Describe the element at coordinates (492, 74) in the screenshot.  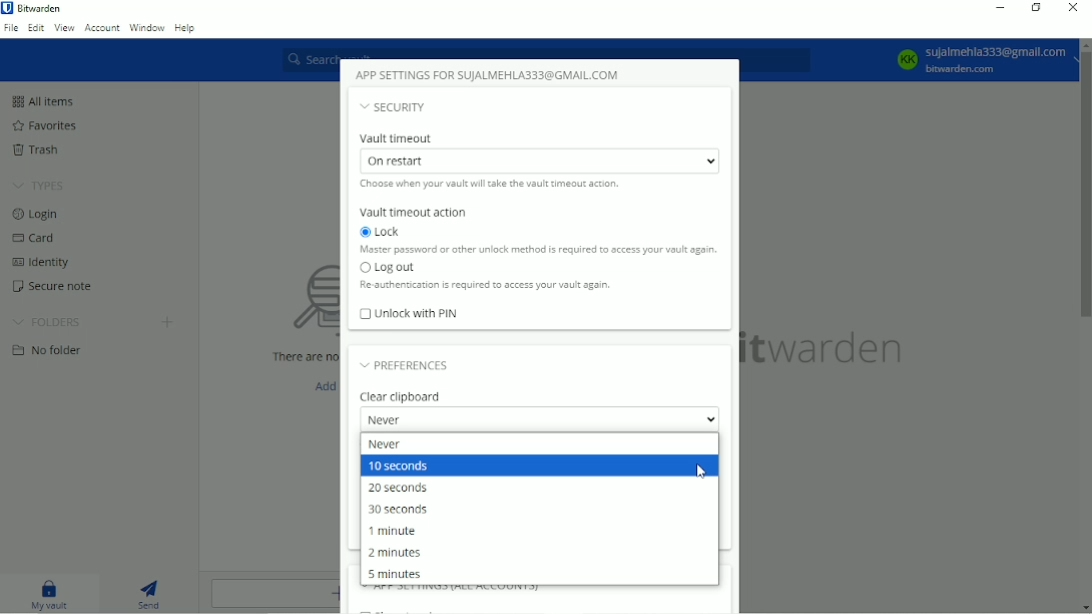
I see `App settings for account` at that location.